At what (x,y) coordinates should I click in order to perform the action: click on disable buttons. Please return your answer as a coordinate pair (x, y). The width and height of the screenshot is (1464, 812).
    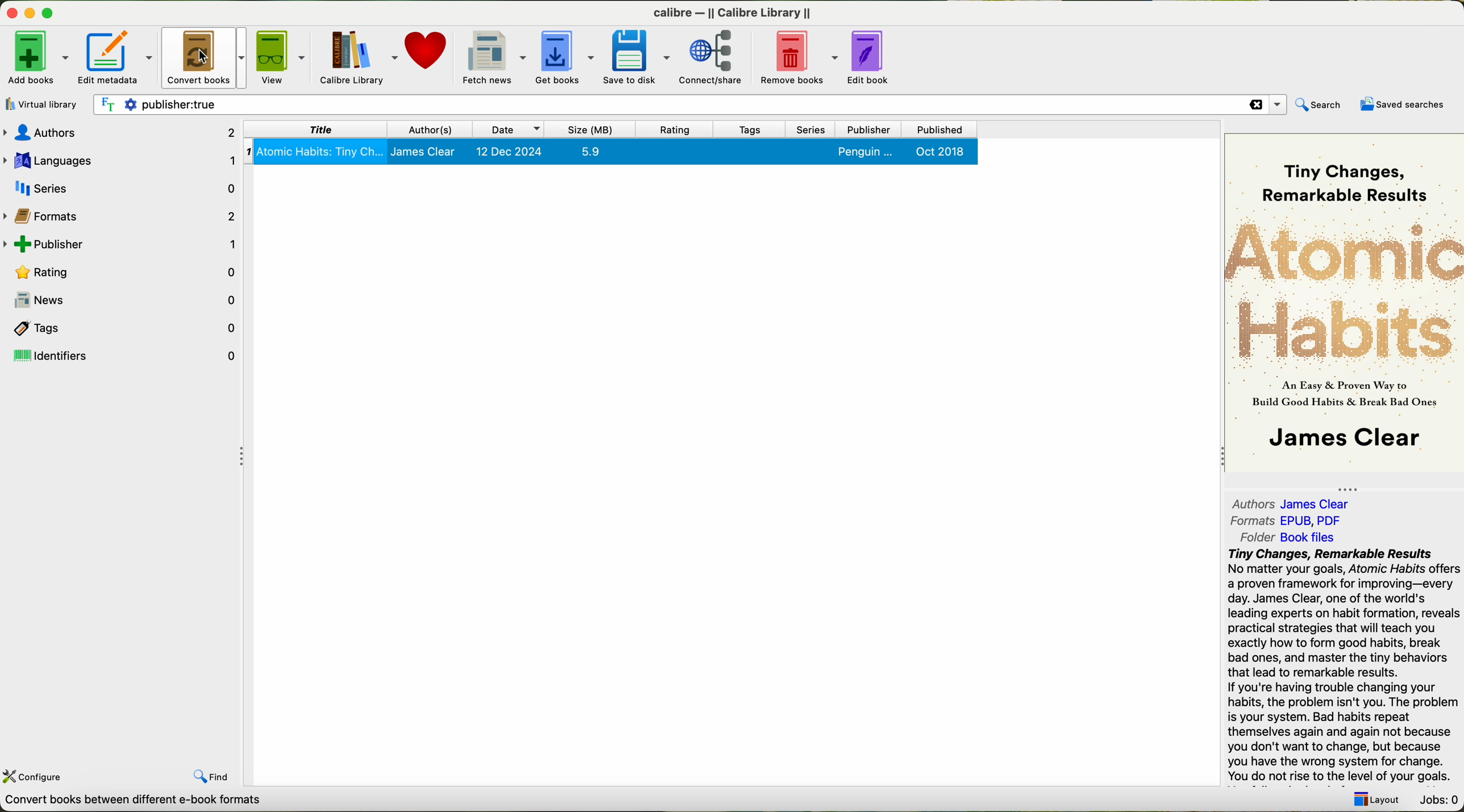
    Looking at the image, I should click on (28, 11).